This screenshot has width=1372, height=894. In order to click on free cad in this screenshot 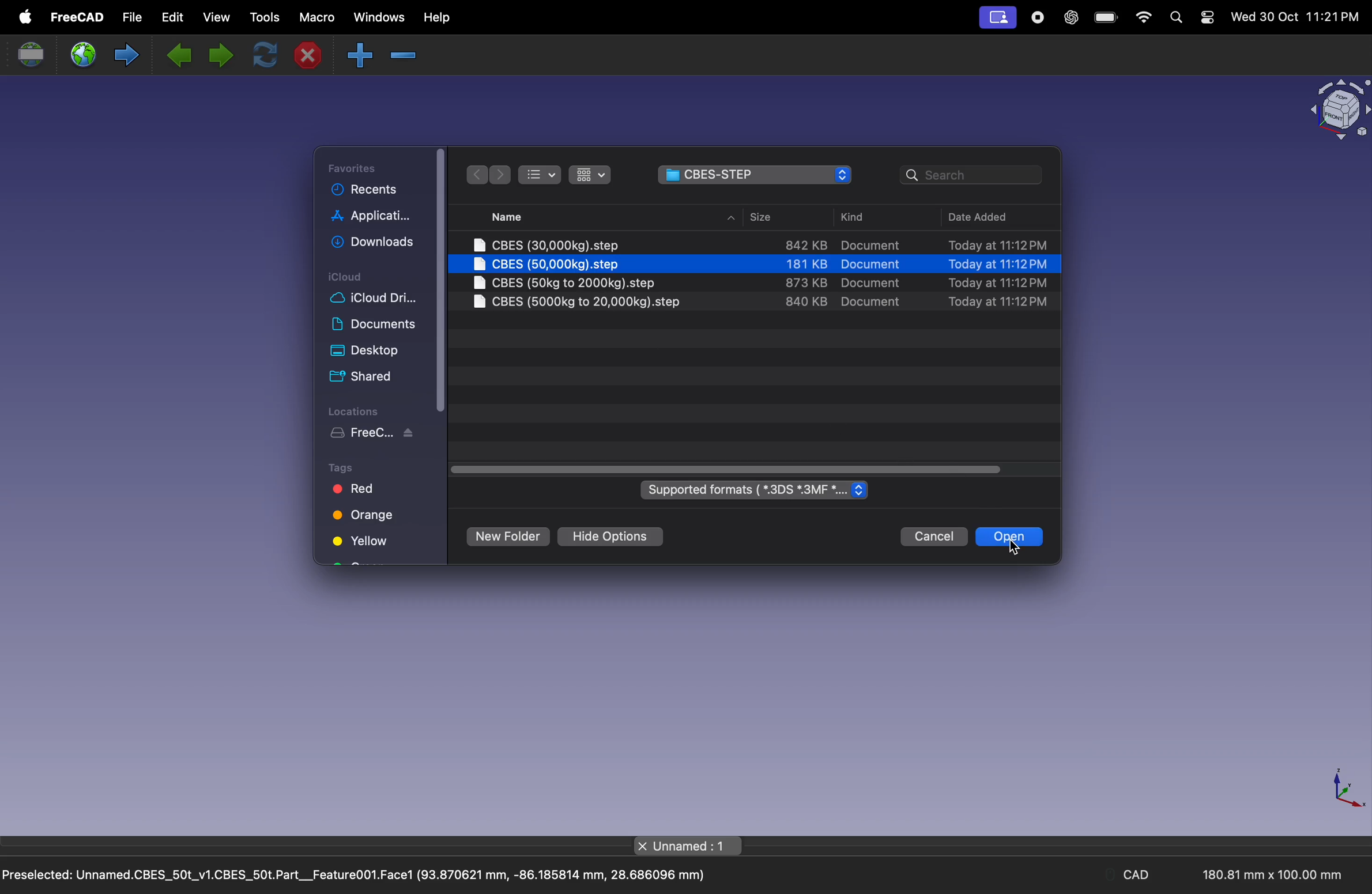, I will do `click(76, 17)`.